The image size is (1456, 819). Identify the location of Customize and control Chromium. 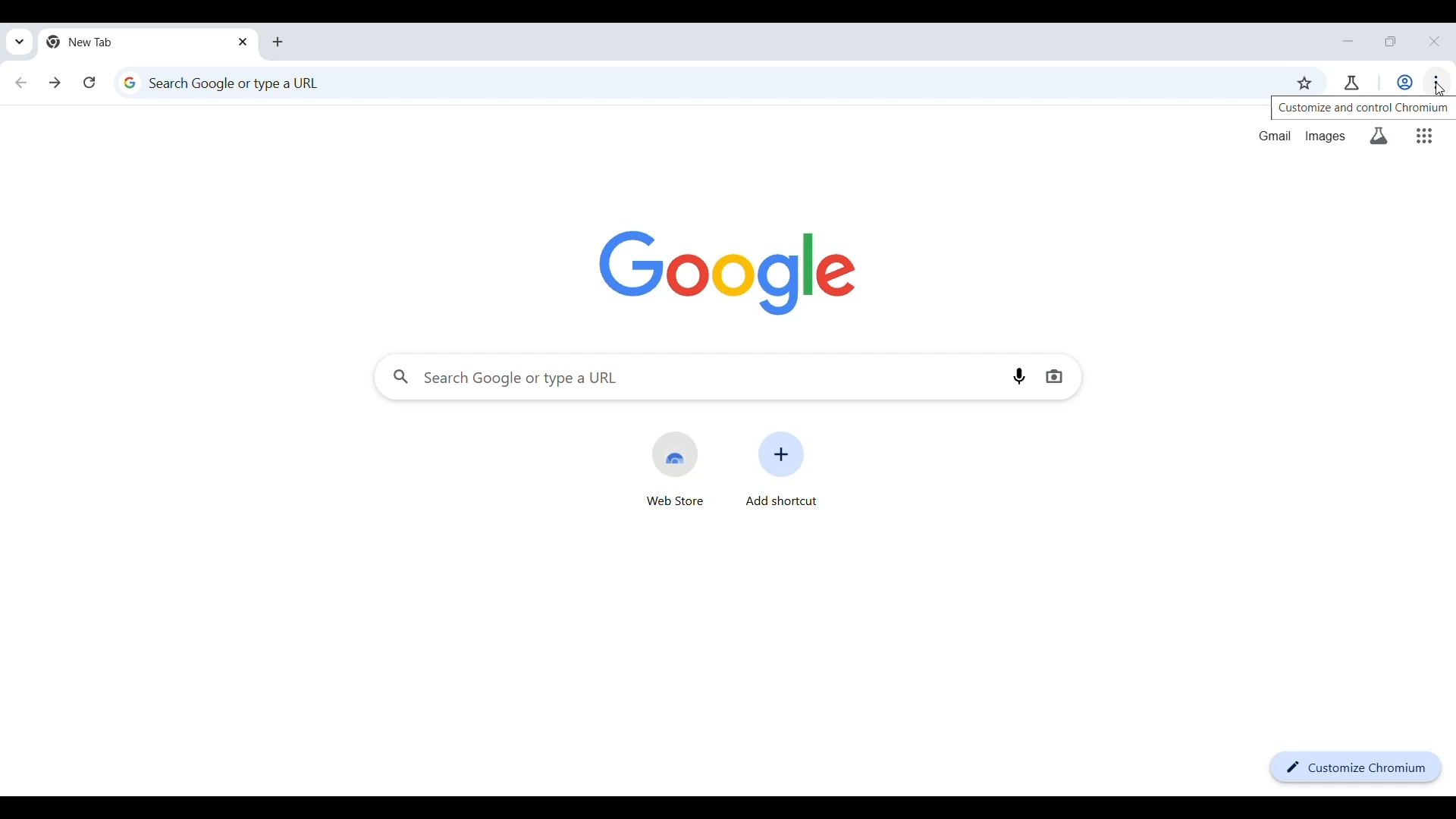
(1363, 108).